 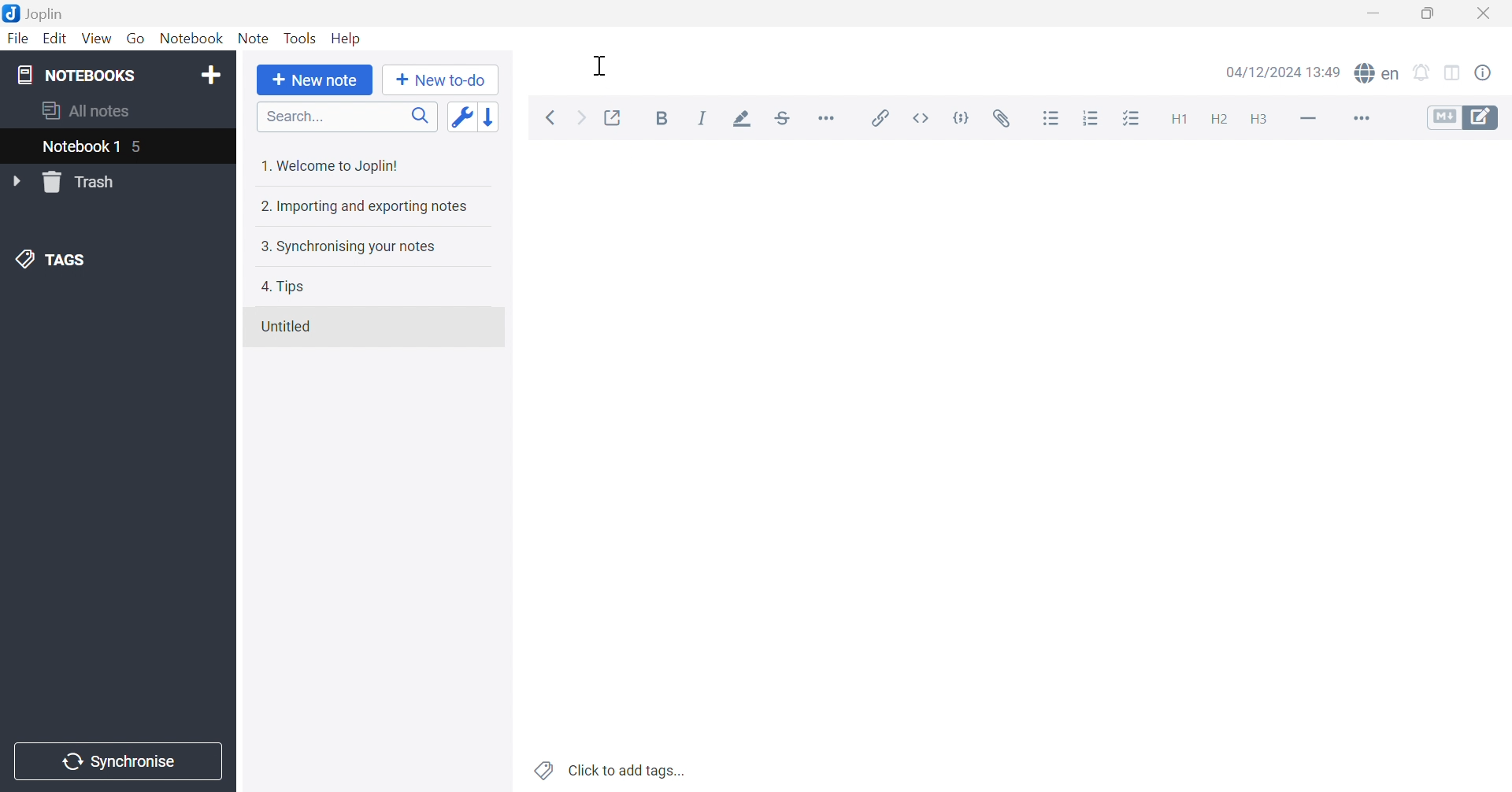 I want to click on Back, so click(x=552, y=119).